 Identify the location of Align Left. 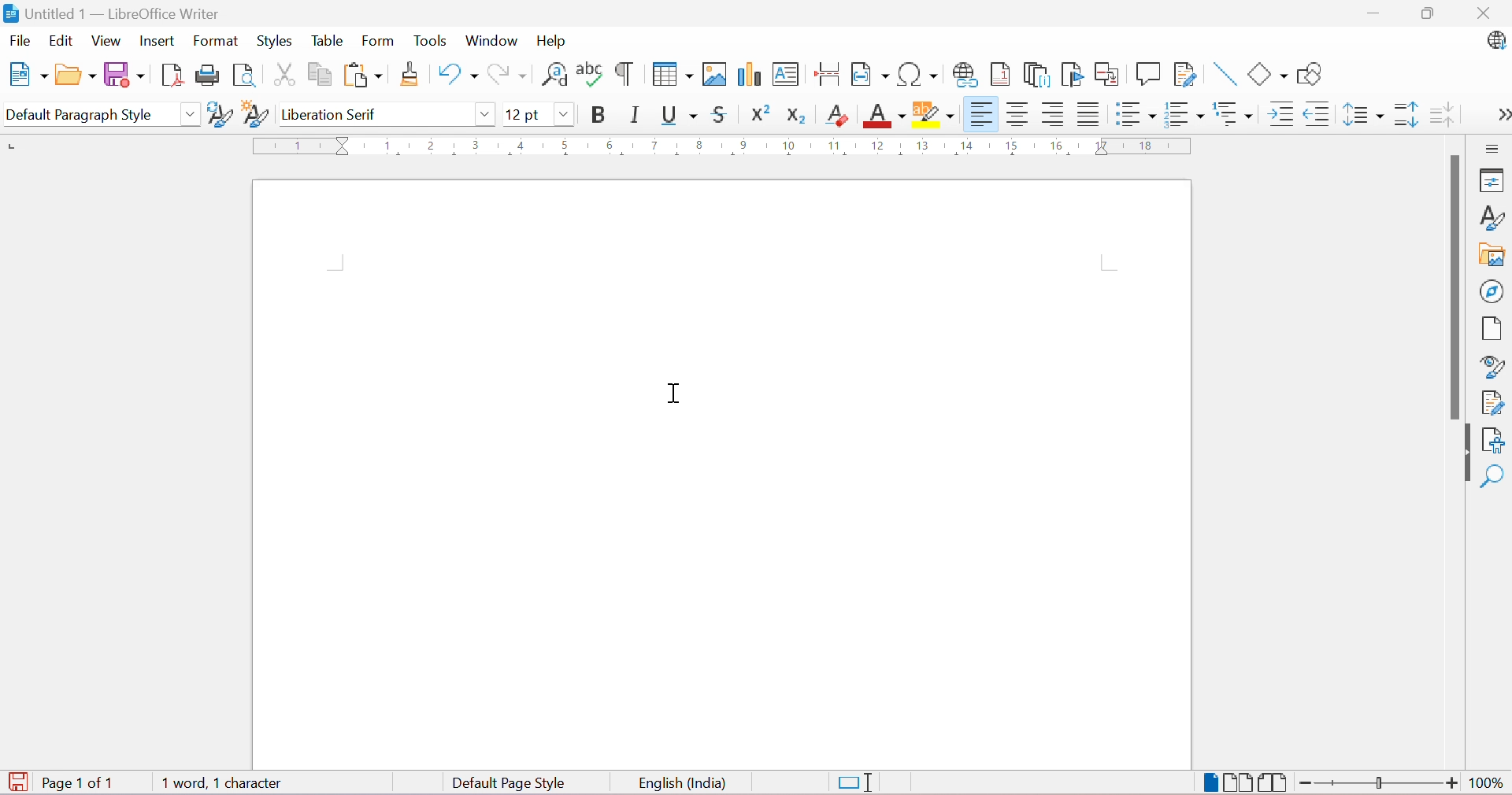
(979, 115).